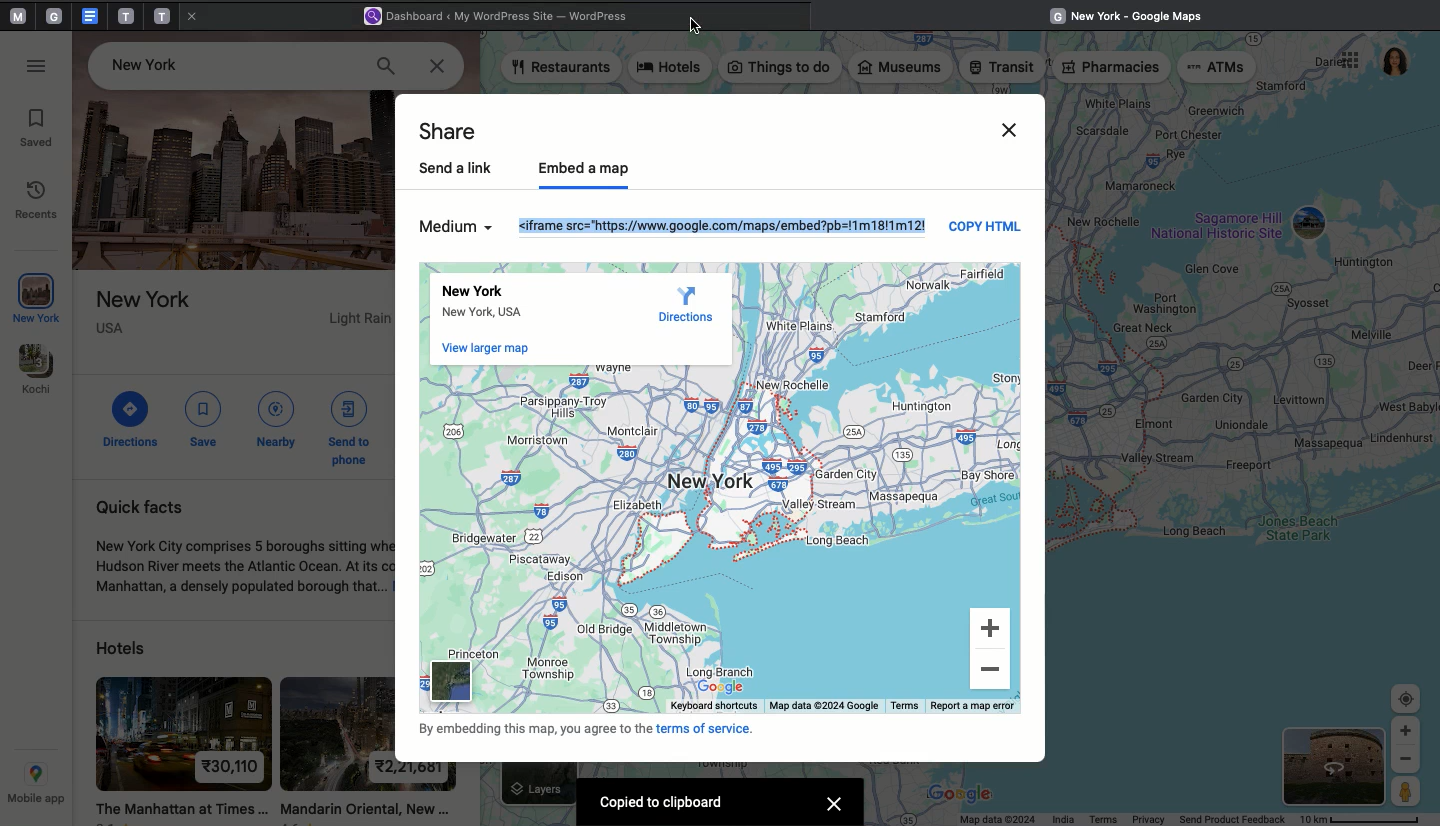 The height and width of the screenshot is (826, 1440). Describe the element at coordinates (39, 299) in the screenshot. I see `New York` at that location.